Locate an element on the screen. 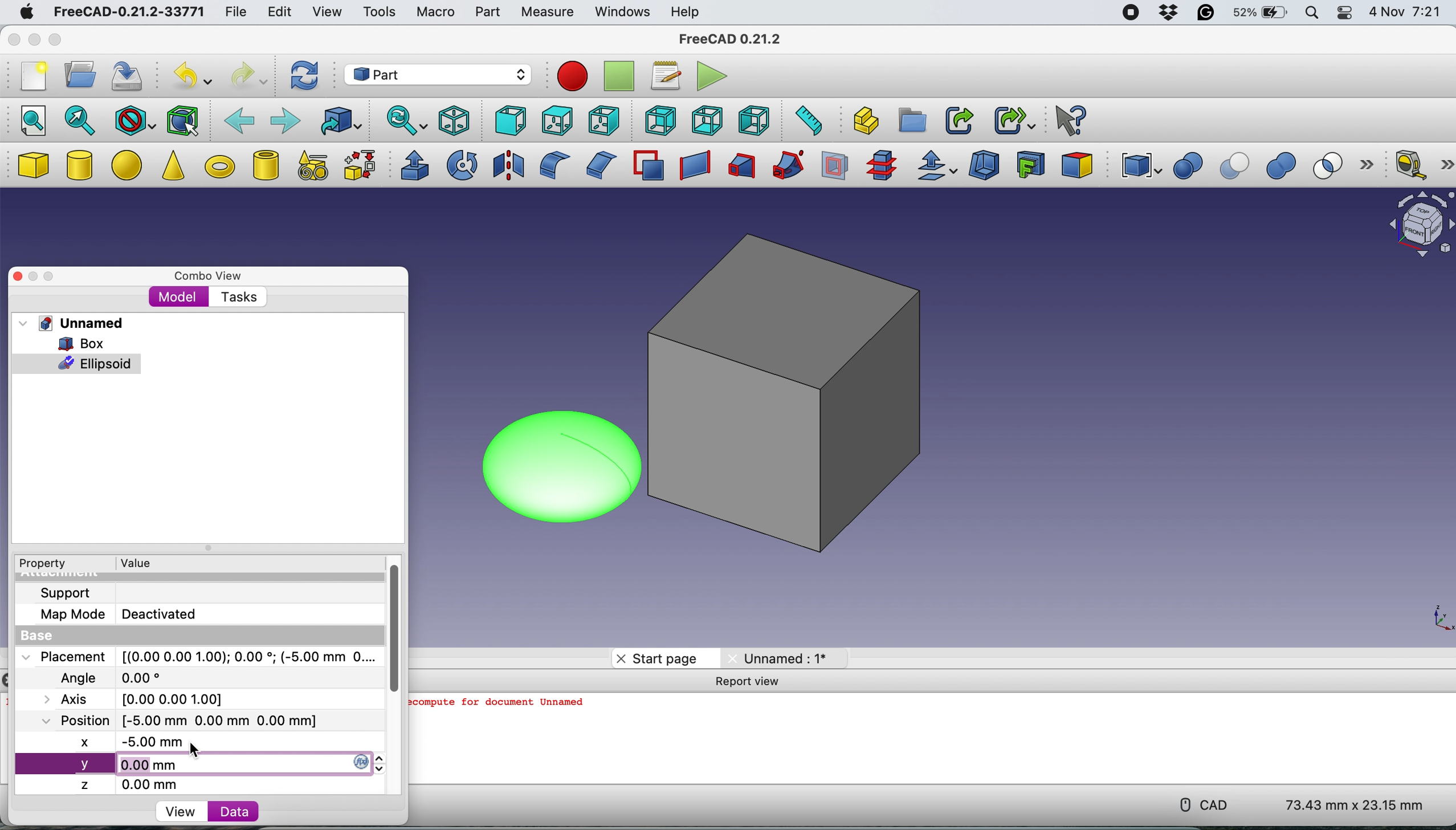 Image resolution: width=1456 pixels, height=830 pixels. ellipsoid is located at coordinates (553, 464).